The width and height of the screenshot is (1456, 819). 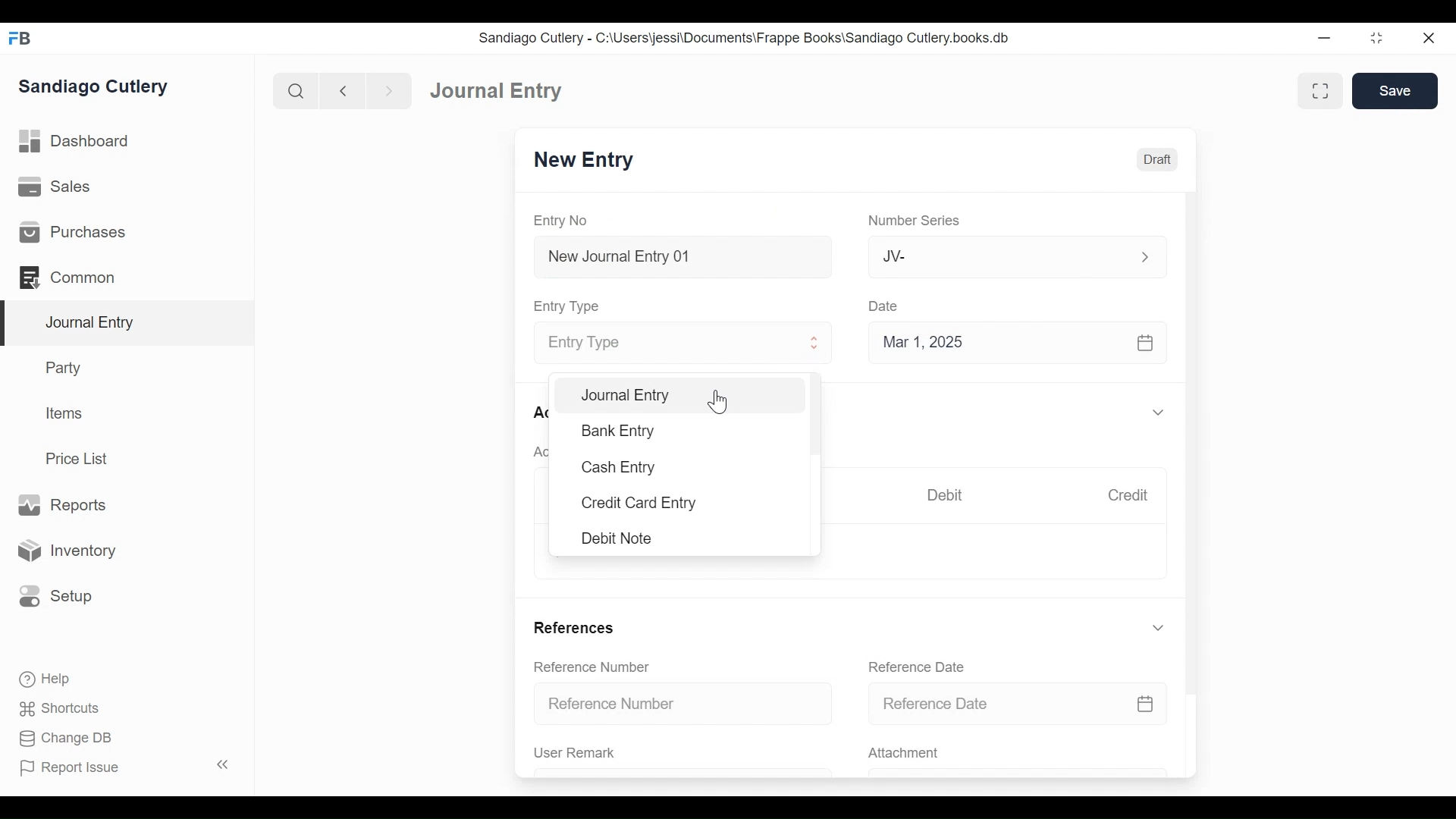 I want to click on minimize, so click(x=1378, y=37).